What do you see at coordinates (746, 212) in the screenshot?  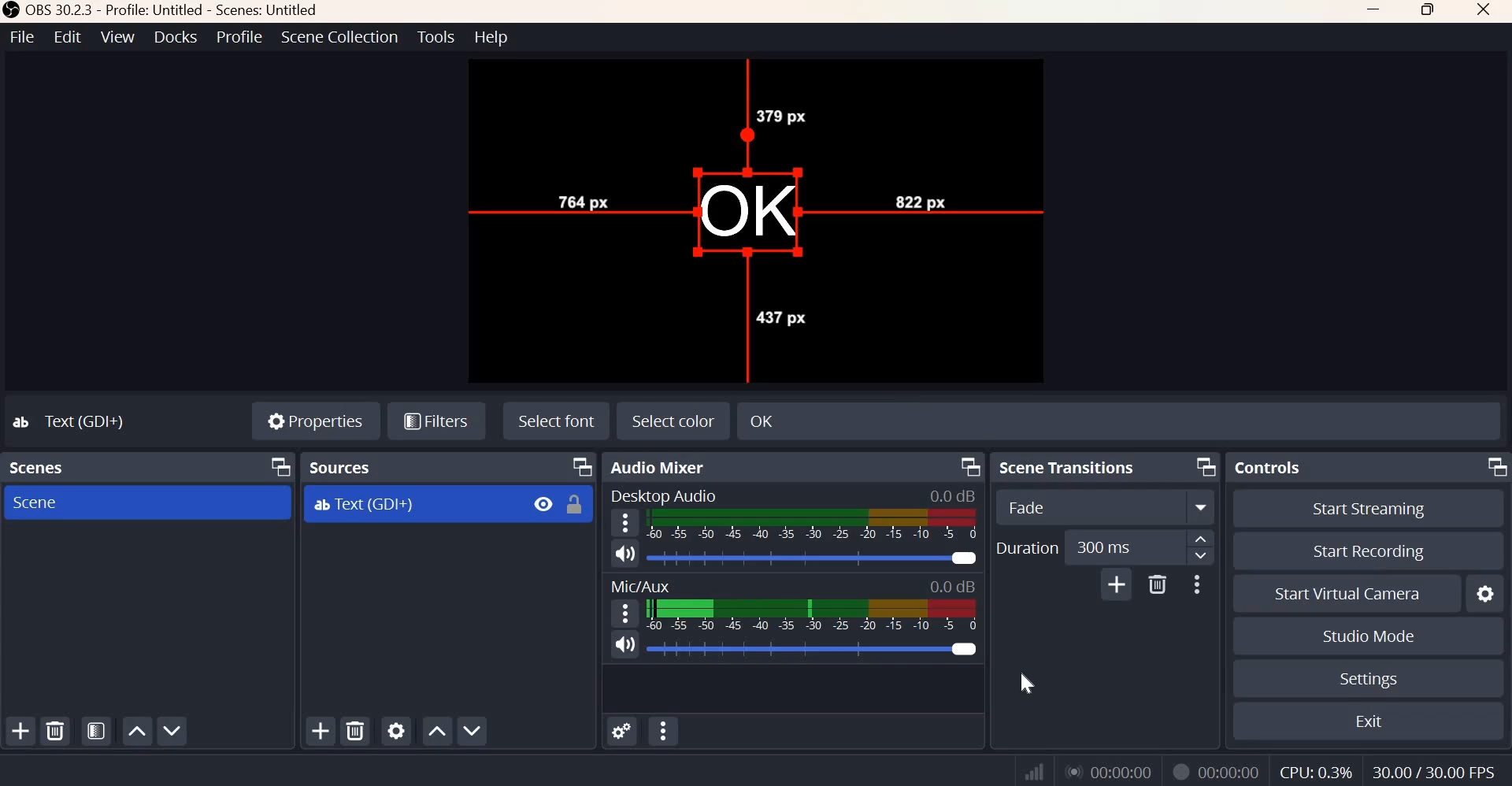 I see `source element OK` at bounding box center [746, 212].